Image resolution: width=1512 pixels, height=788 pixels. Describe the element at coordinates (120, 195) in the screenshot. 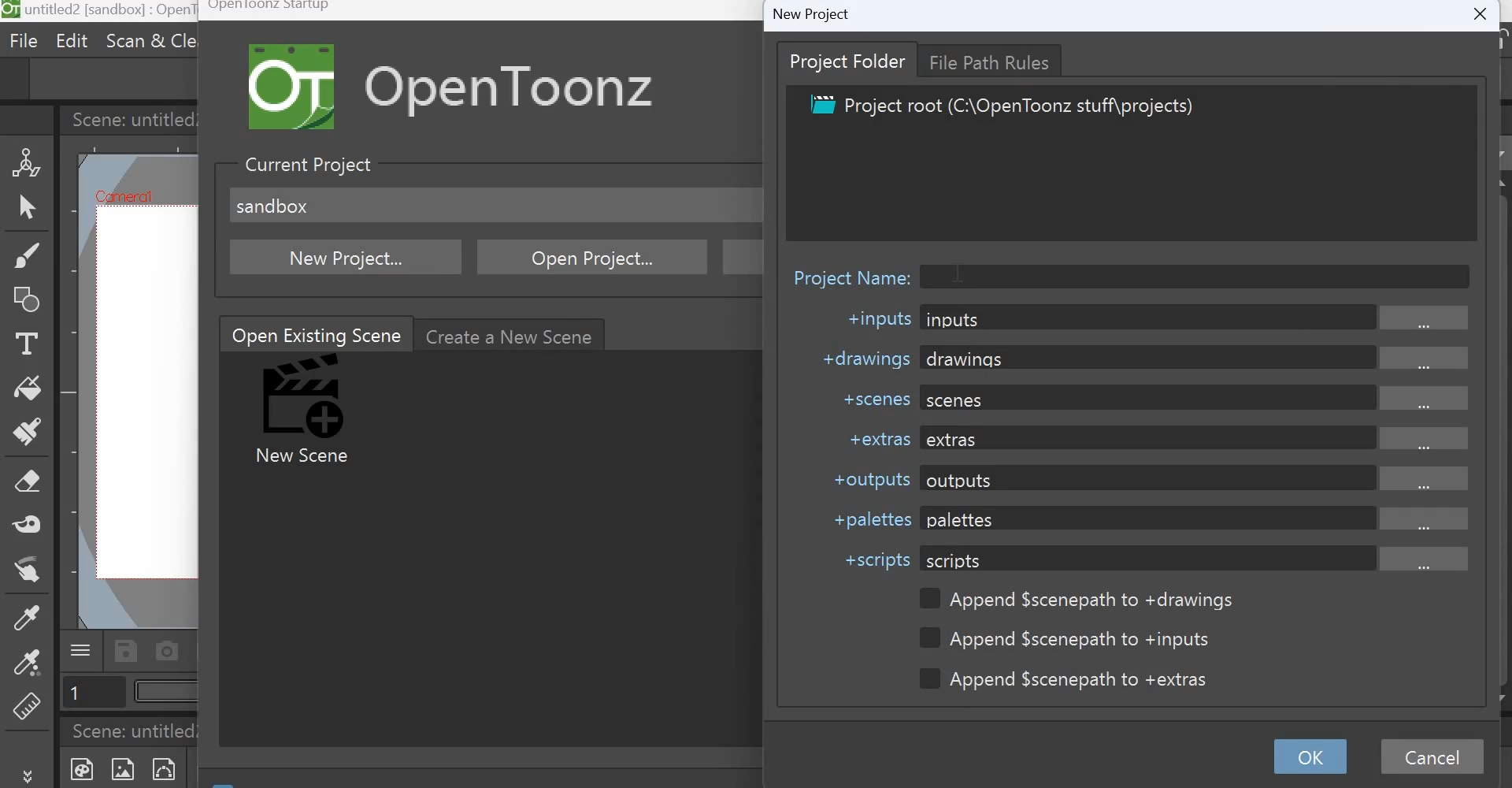

I see `Cafniercil` at that location.